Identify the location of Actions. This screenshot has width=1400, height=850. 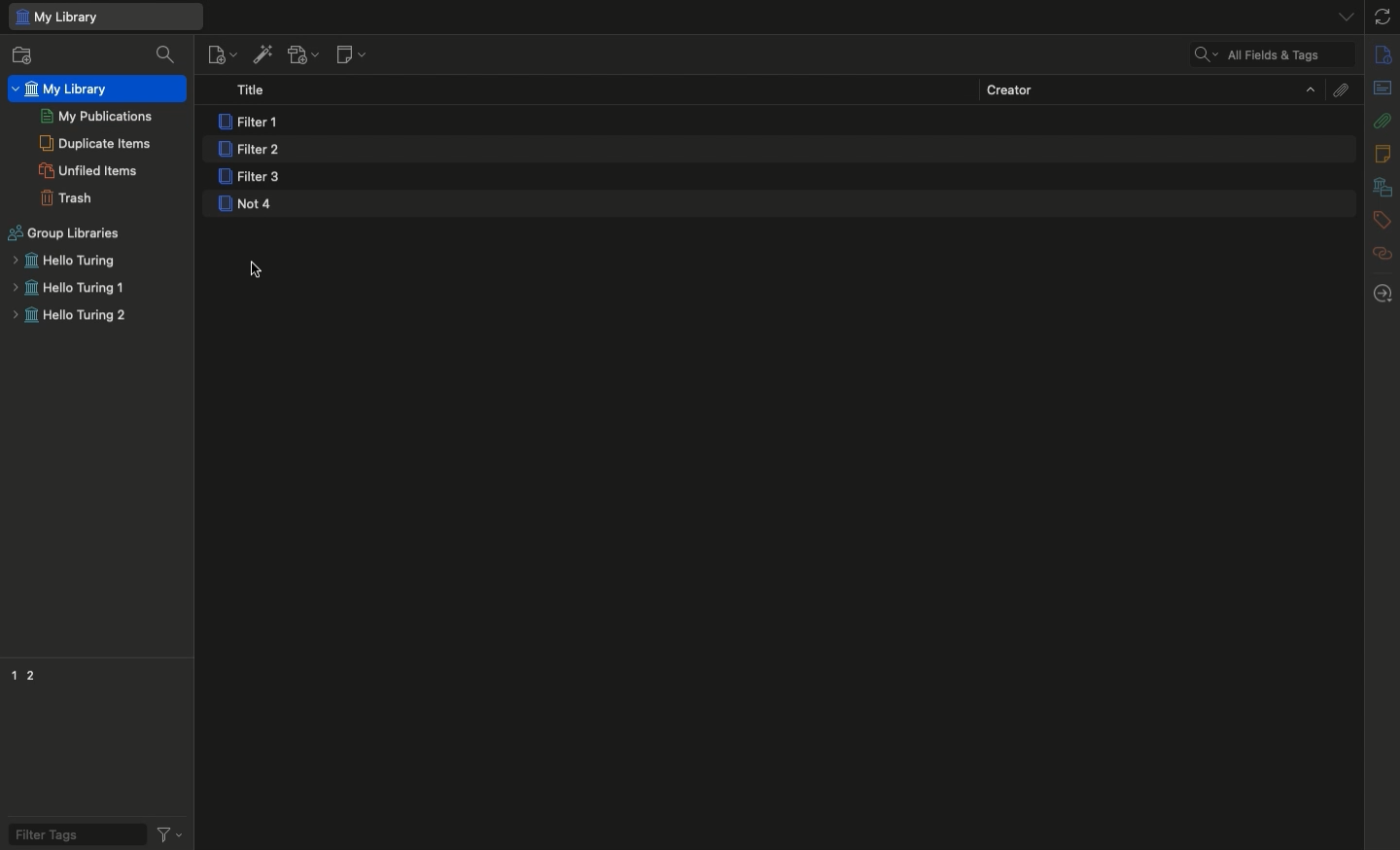
(168, 832).